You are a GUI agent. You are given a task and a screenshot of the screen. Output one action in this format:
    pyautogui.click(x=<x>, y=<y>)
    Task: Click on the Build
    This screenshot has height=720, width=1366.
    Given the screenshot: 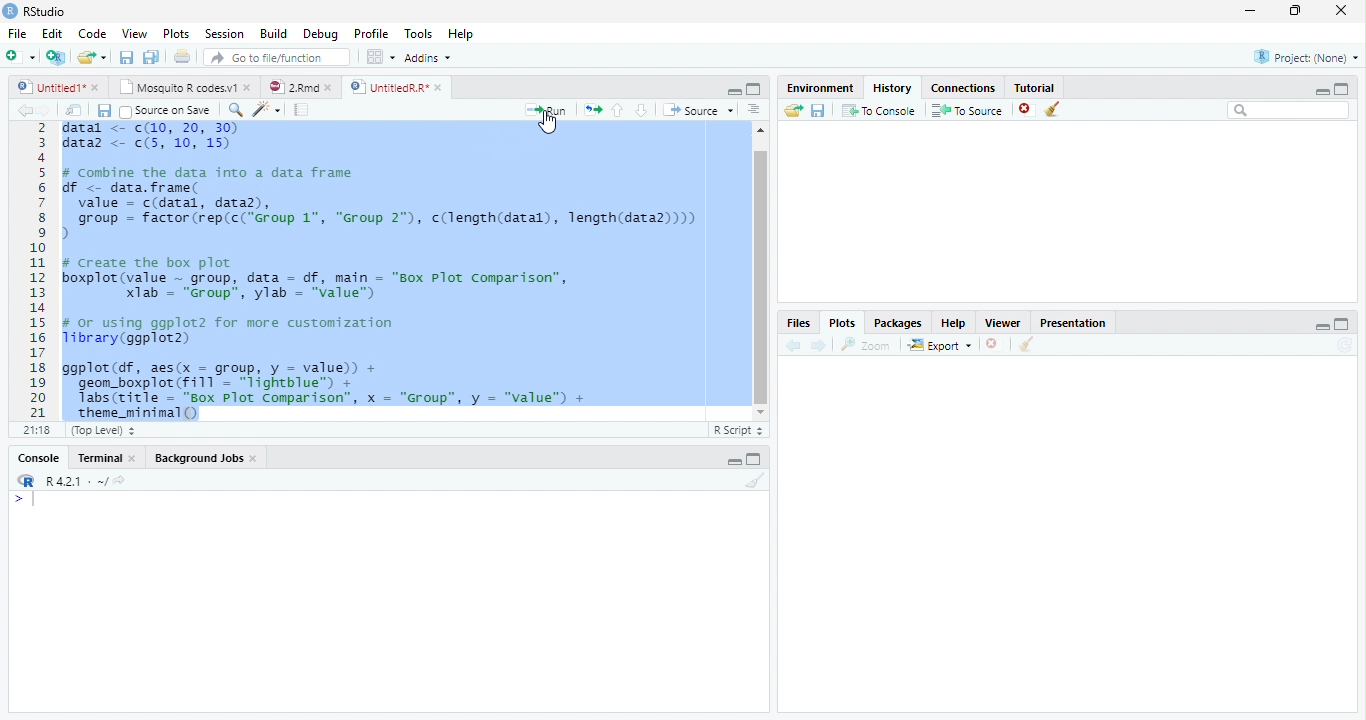 What is the action you would take?
    pyautogui.click(x=272, y=33)
    